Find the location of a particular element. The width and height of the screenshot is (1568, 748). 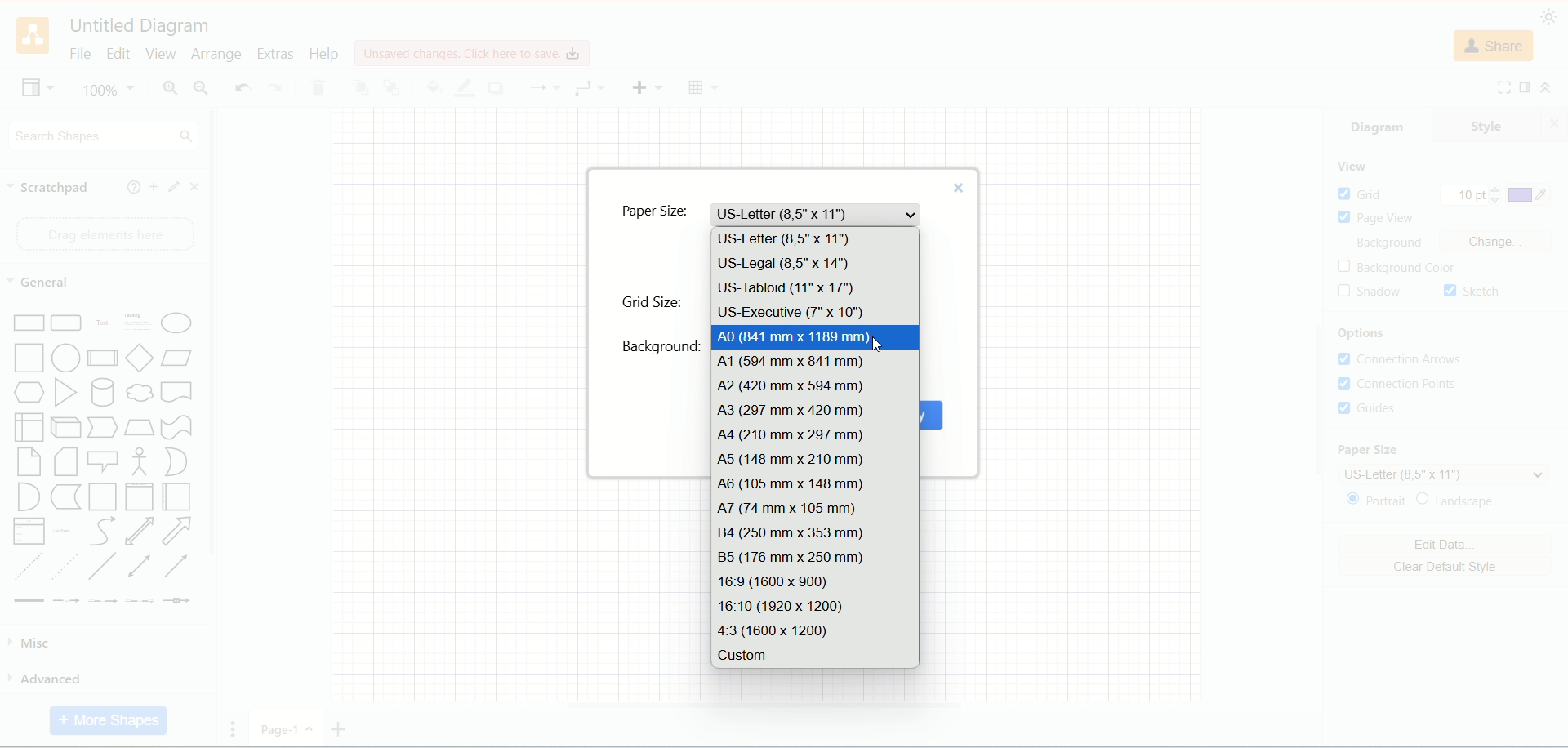

16:9 is located at coordinates (814, 583).